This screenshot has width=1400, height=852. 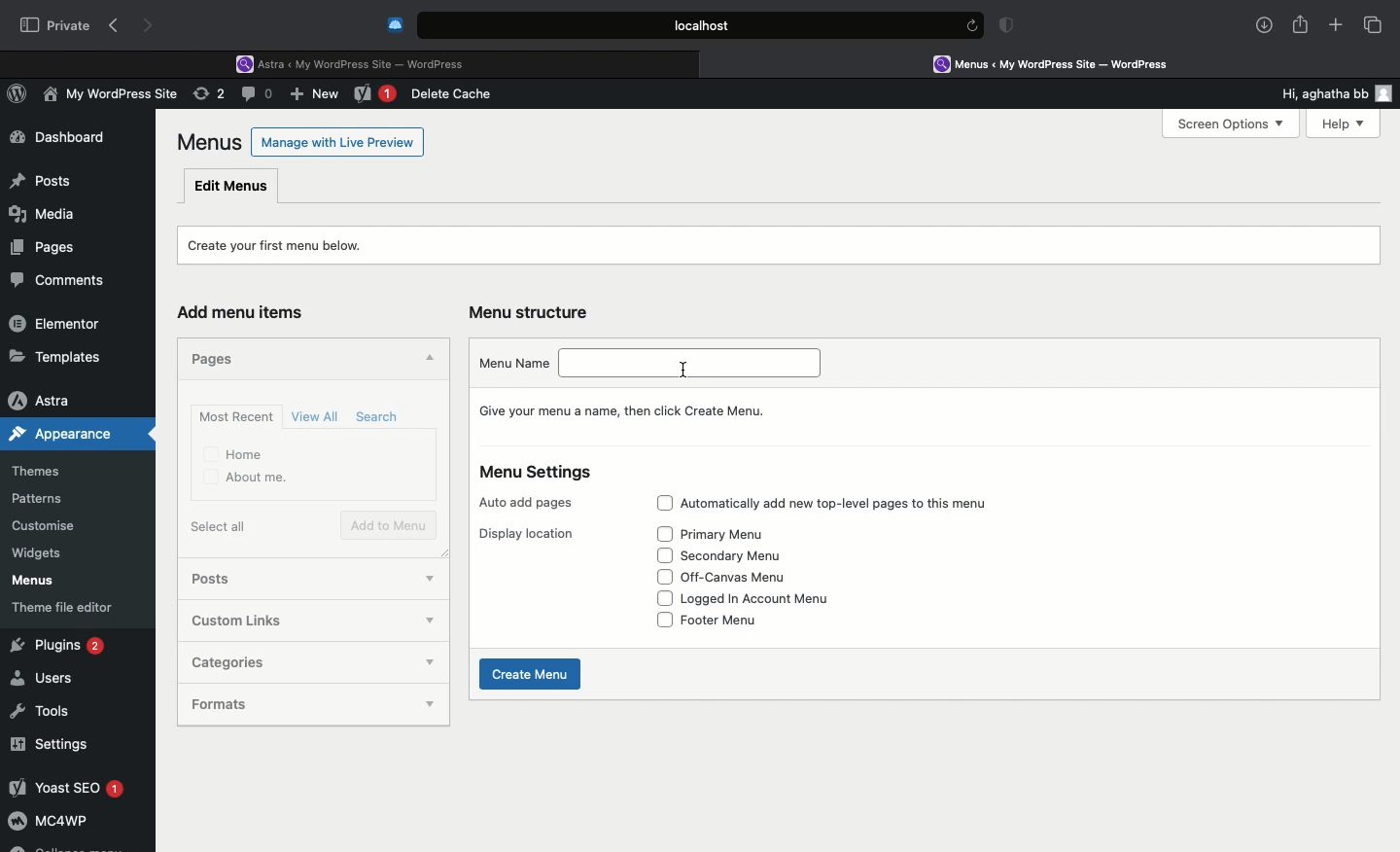 What do you see at coordinates (317, 416) in the screenshot?
I see `View all` at bounding box center [317, 416].